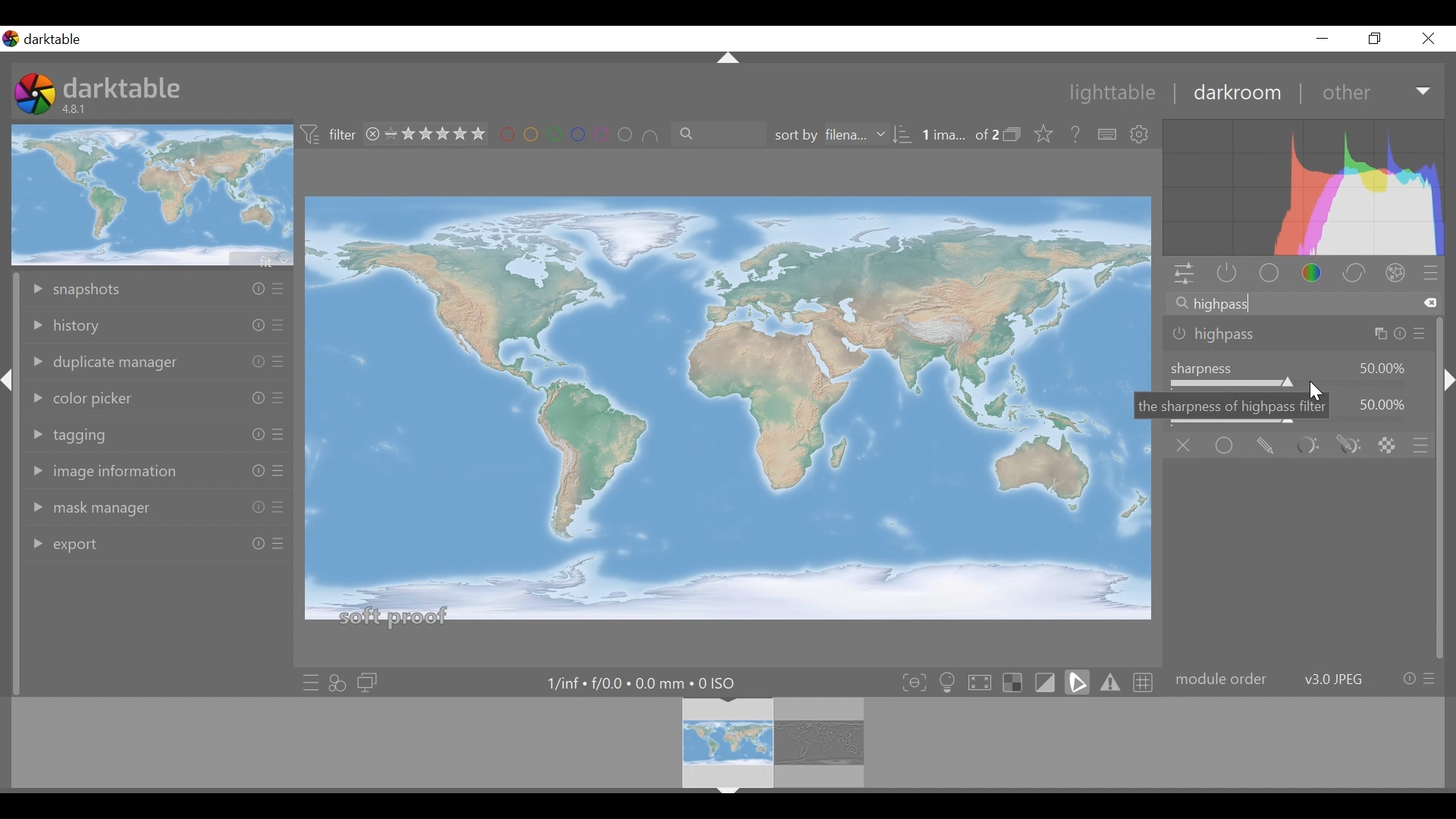 The width and height of the screenshot is (1456, 819). Describe the element at coordinates (1431, 271) in the screenshot. I see `presets` at that location.